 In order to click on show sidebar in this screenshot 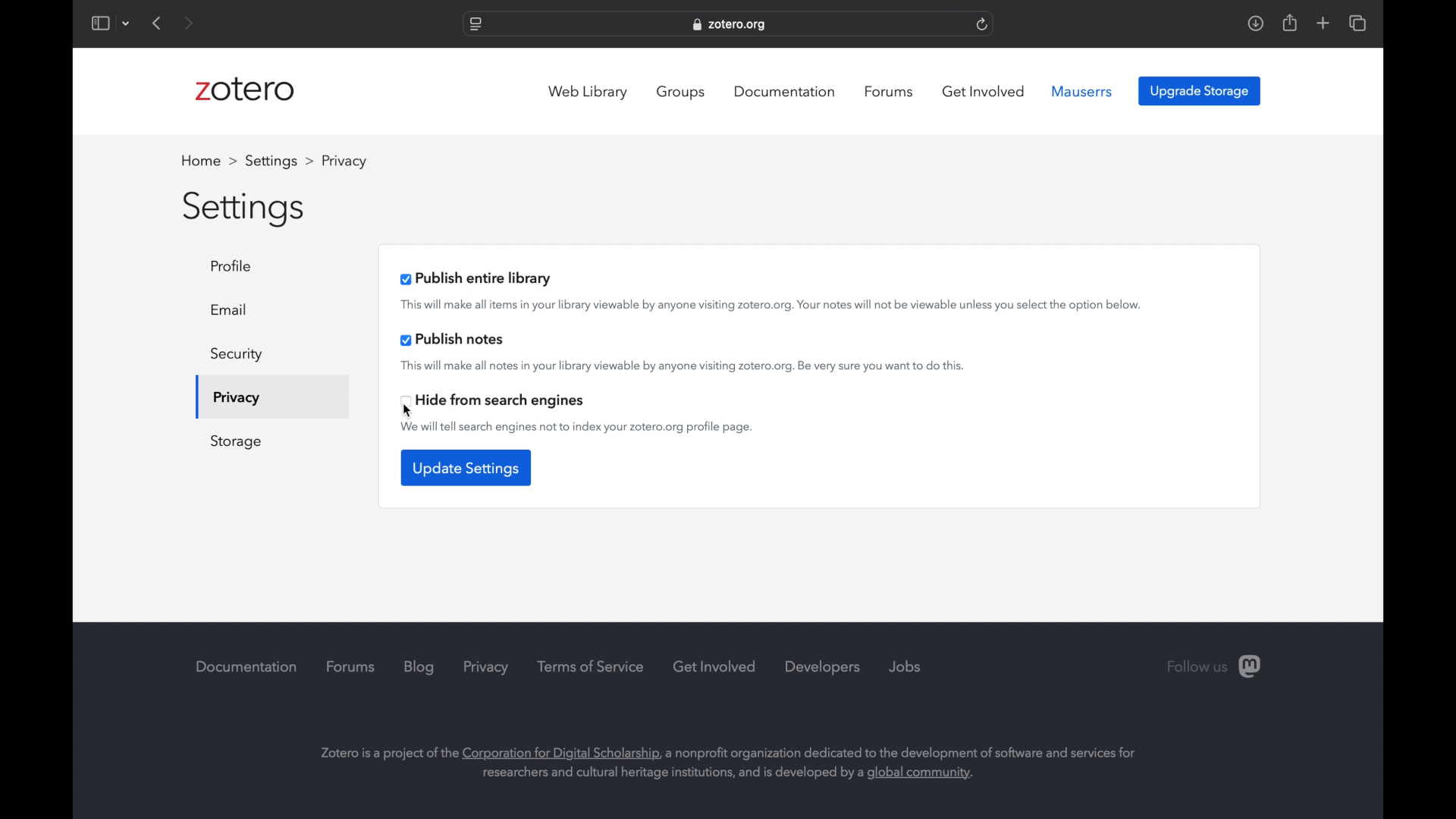, I will do `click(99, 24)`.